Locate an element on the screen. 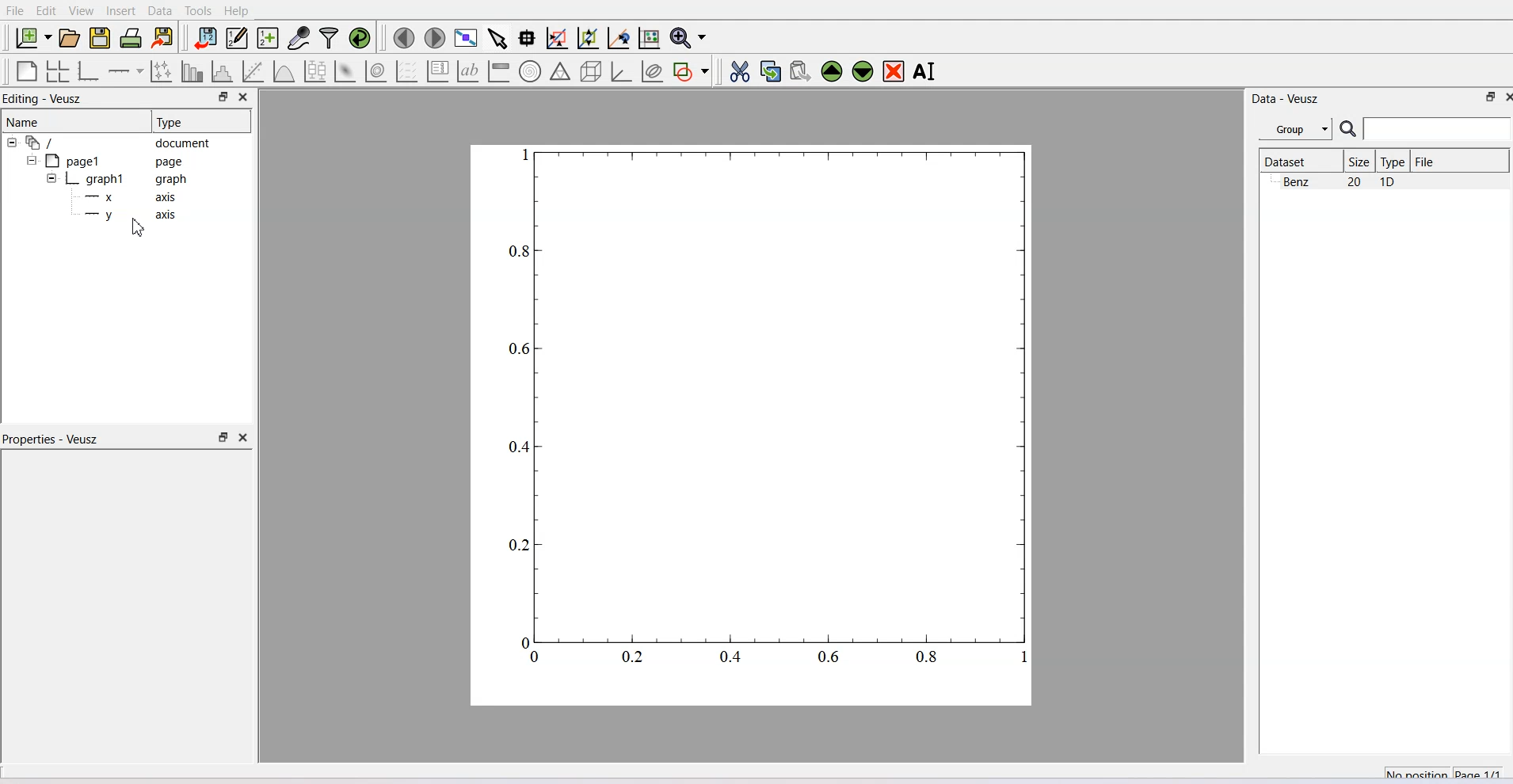 The height and width of the screenshot is (784, 1513). Size is located at coordinates (1360, 161).